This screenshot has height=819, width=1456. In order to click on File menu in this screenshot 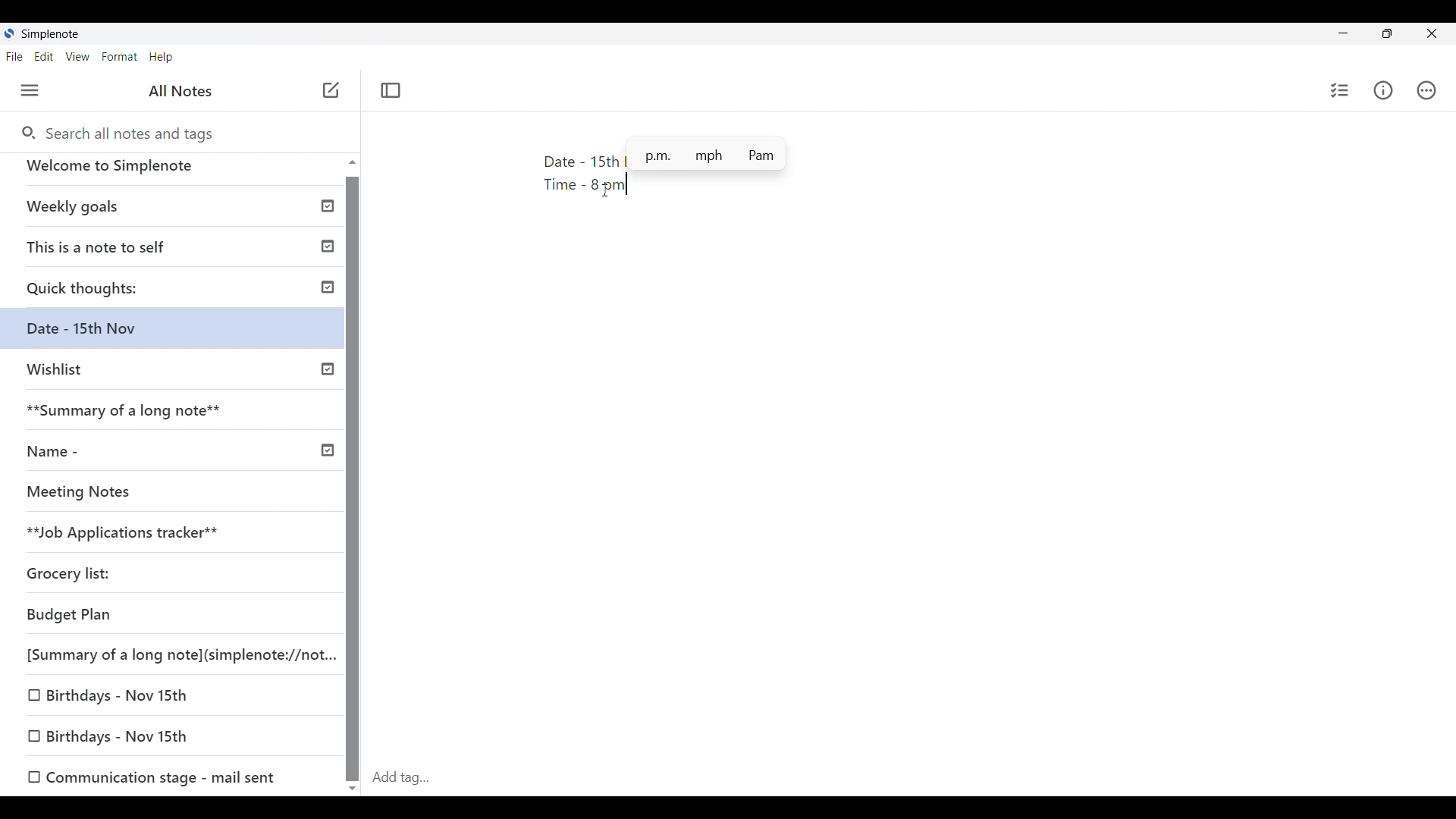, I will do `click(14, 56)`.